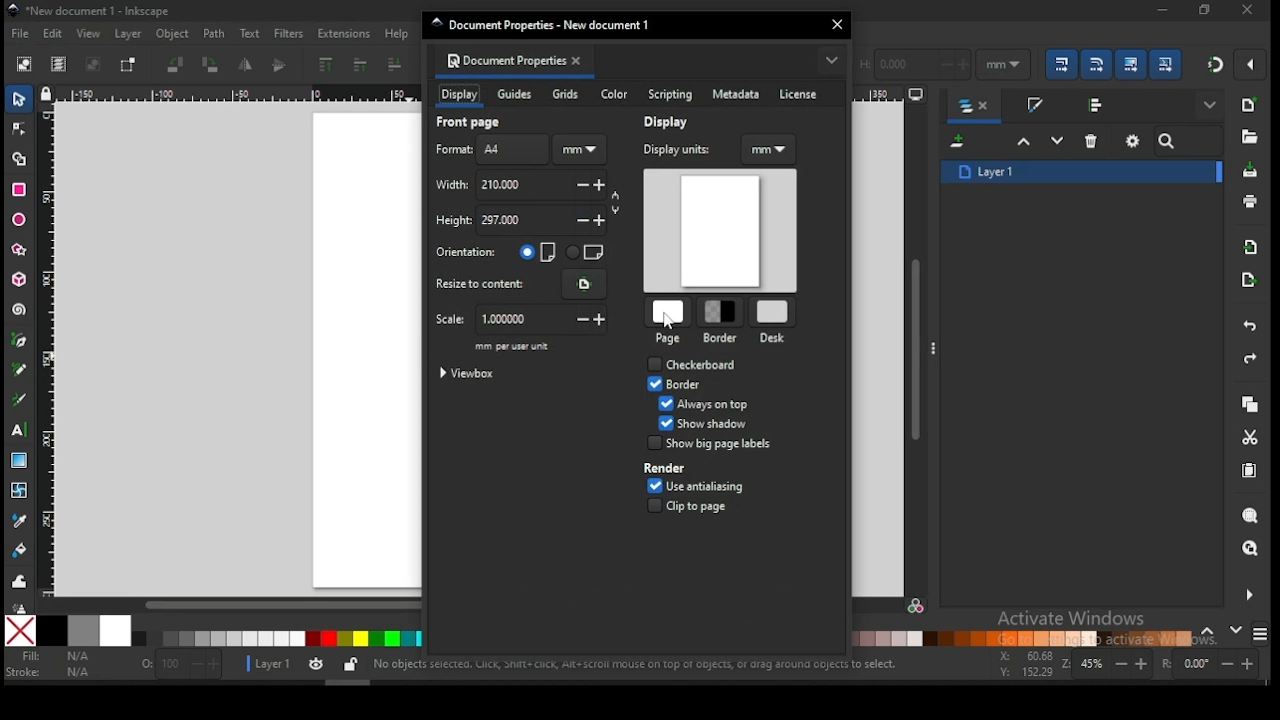 The height and width of the screenshot is (720, 1280). I want to click on width, so click(530, 185).